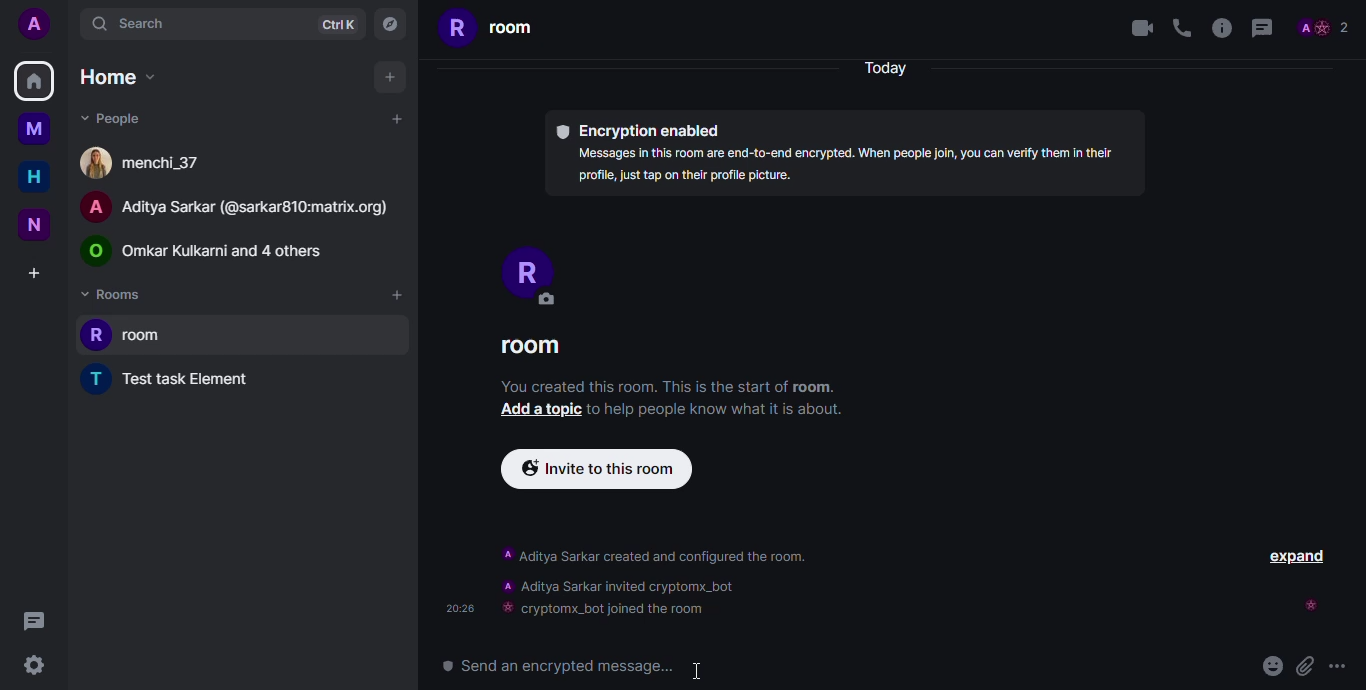 Image resolution: width=1366 pixels, height=690 pixels. Describe the element at coordinates (1268, 668) in the screenshot. I see `emoji` at that location.